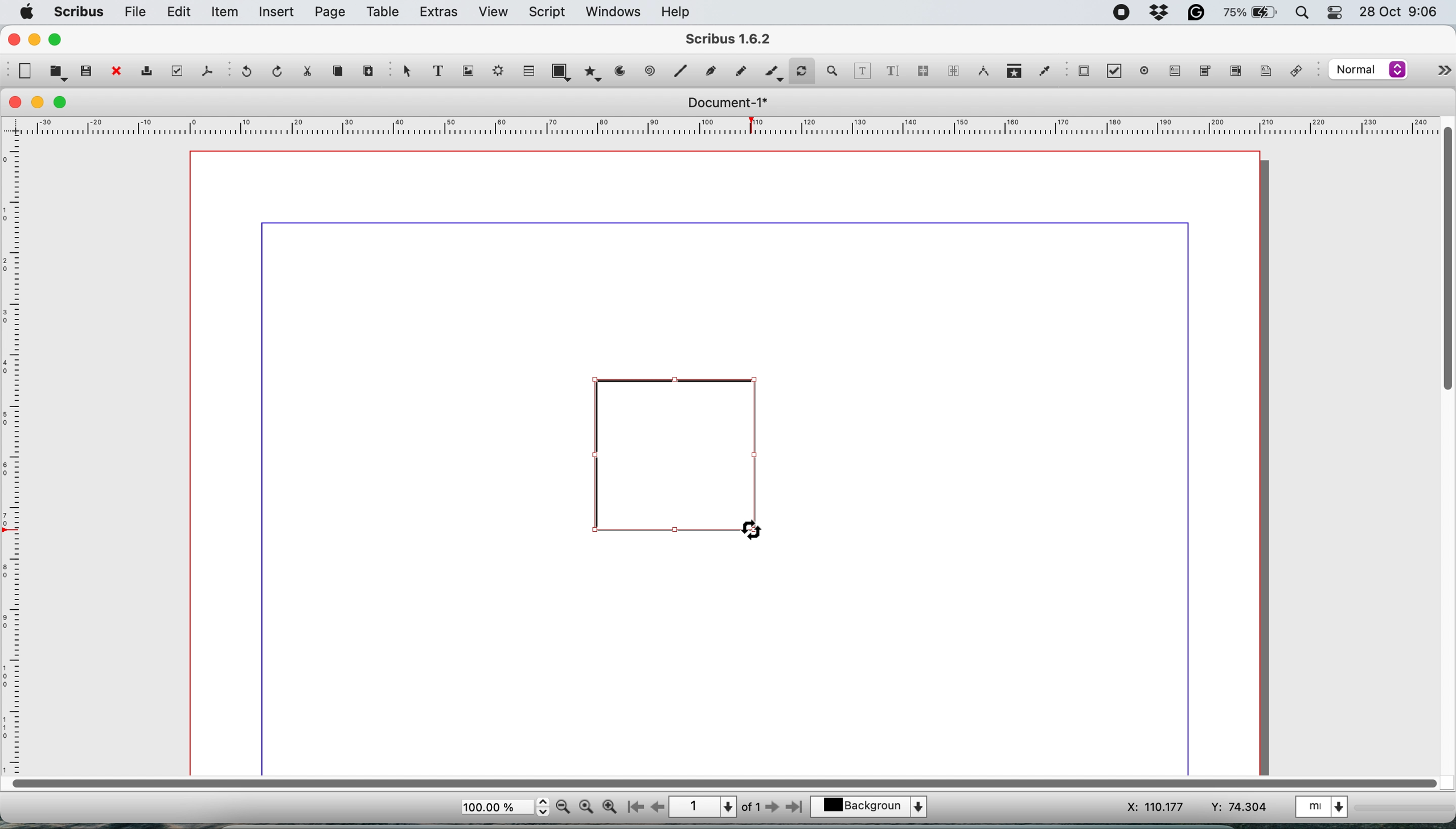 This screenshot has height=829, width=1456. I want to click on save as pdf, so click(205, 71).